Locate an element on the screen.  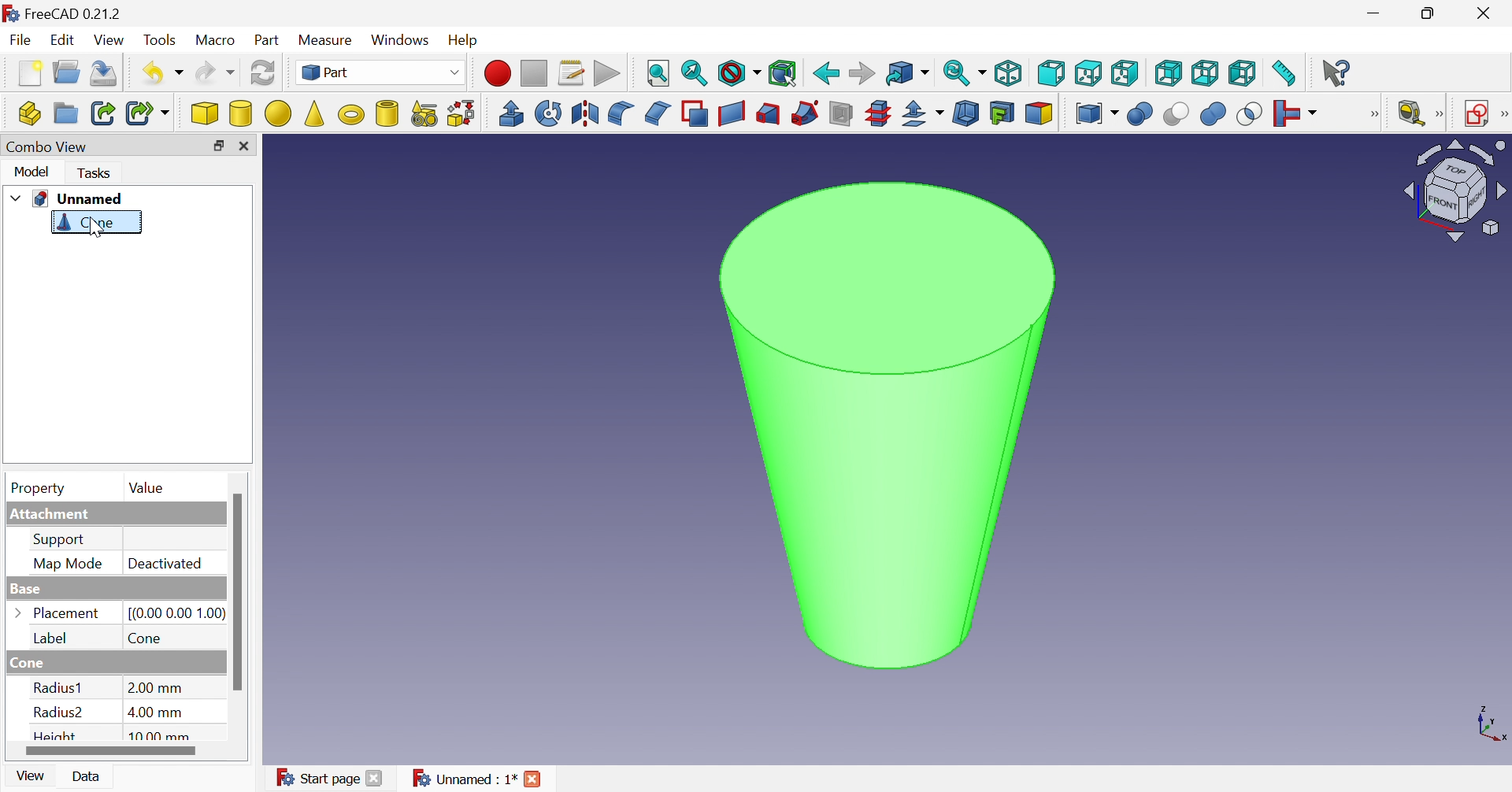
Torus is located at coordinates (349, 114).